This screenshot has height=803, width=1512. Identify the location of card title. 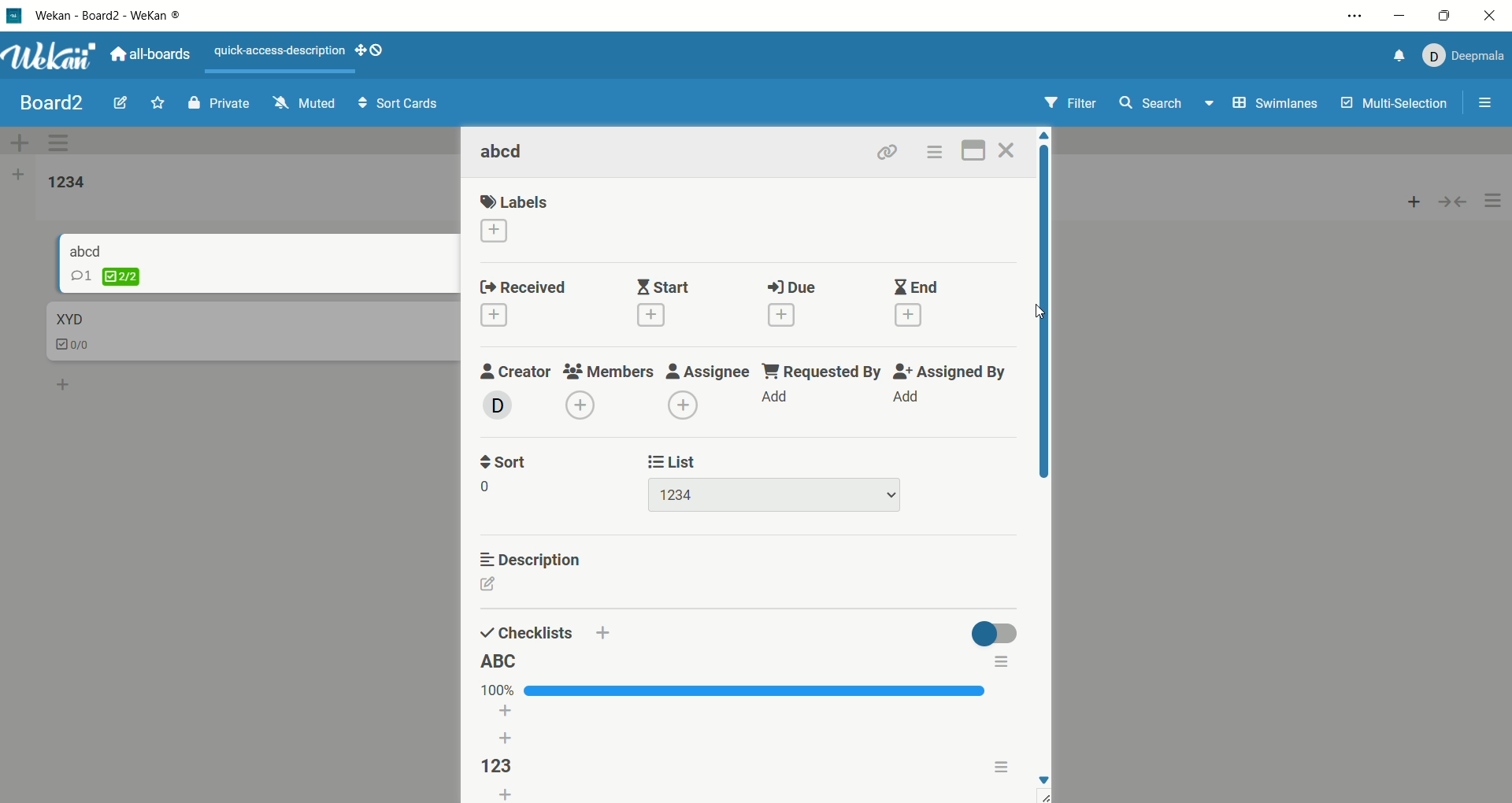
(68, 320).